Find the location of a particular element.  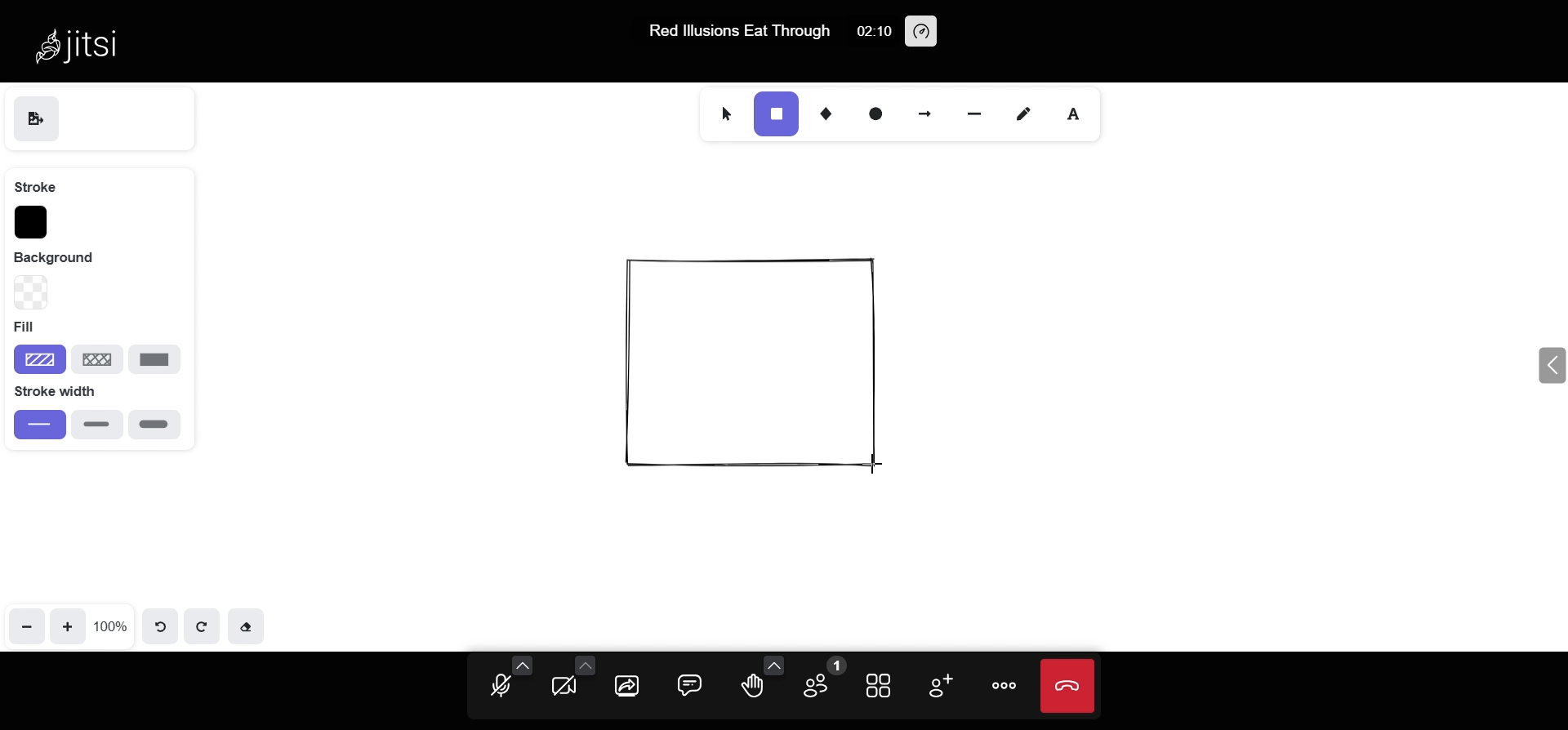

share screen is located at coordinates (629, 686).